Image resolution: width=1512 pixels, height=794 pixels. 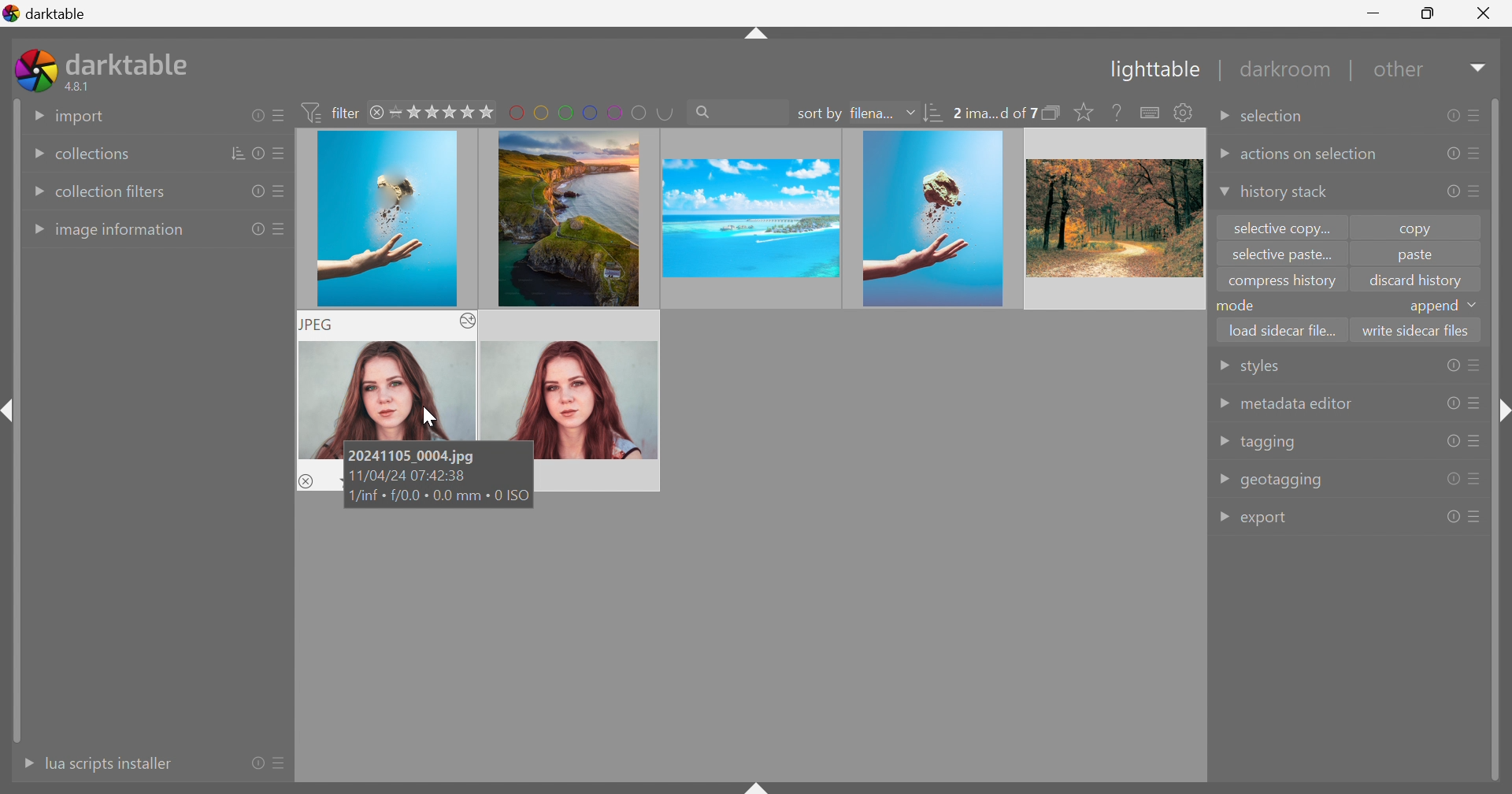 I want to click on reset, so click(x=1452, y=440).